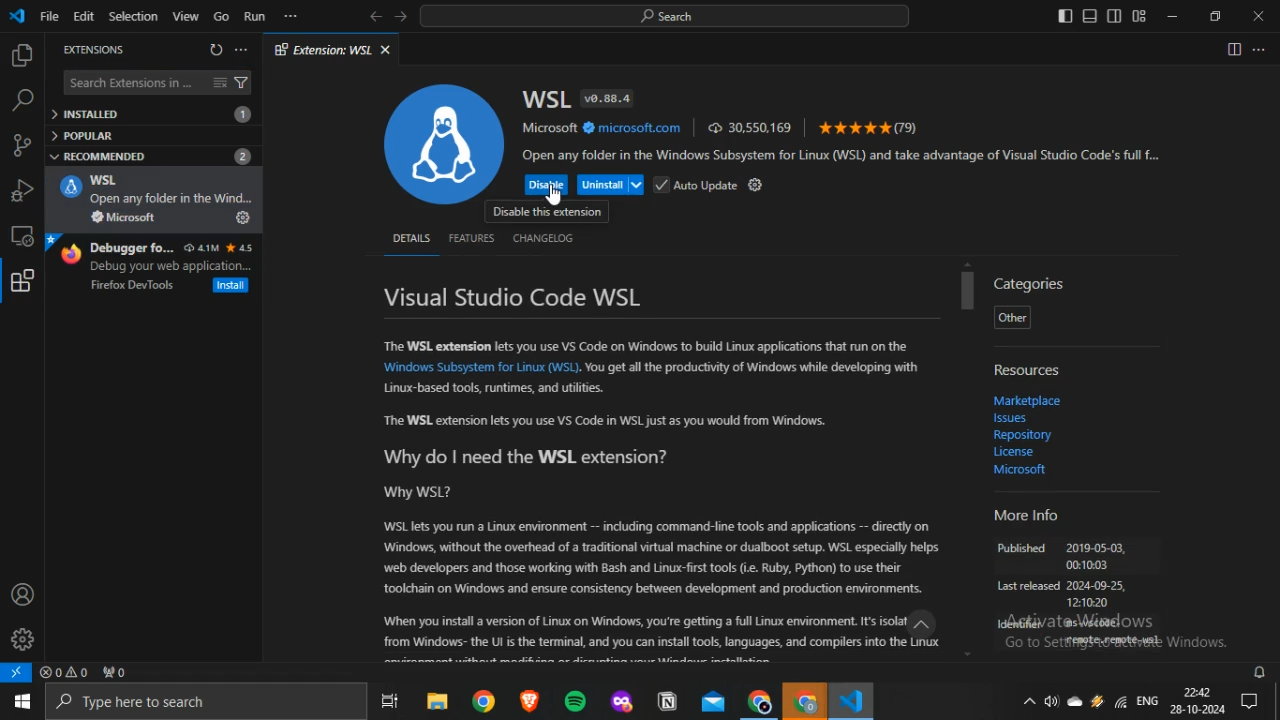 This screenshot has height=720, width=1280. I want to click on Disable, so click(547, 185).